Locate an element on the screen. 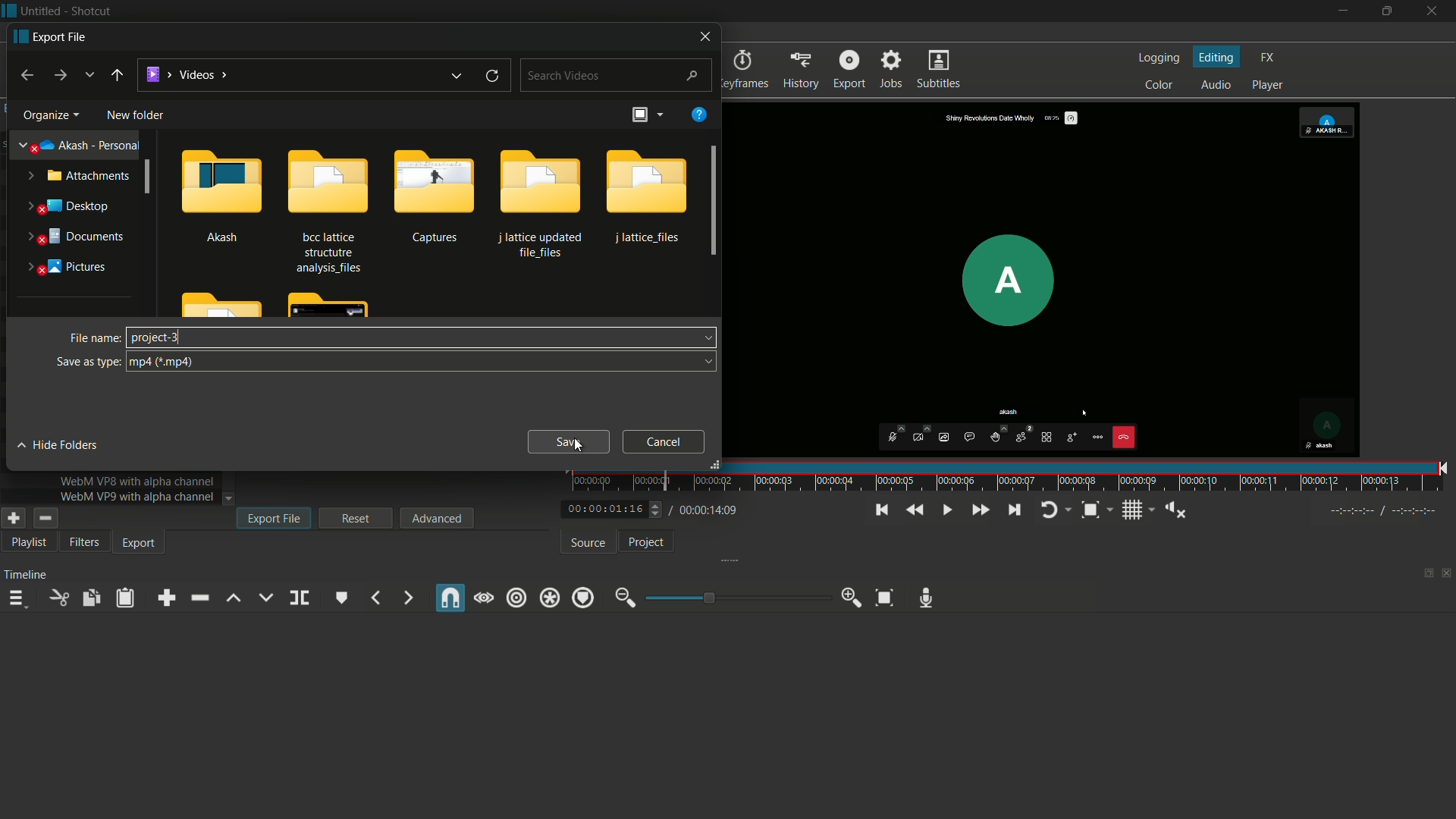 This screenshot has width=1456, height=819. export file is located at coordinates (52, 36).